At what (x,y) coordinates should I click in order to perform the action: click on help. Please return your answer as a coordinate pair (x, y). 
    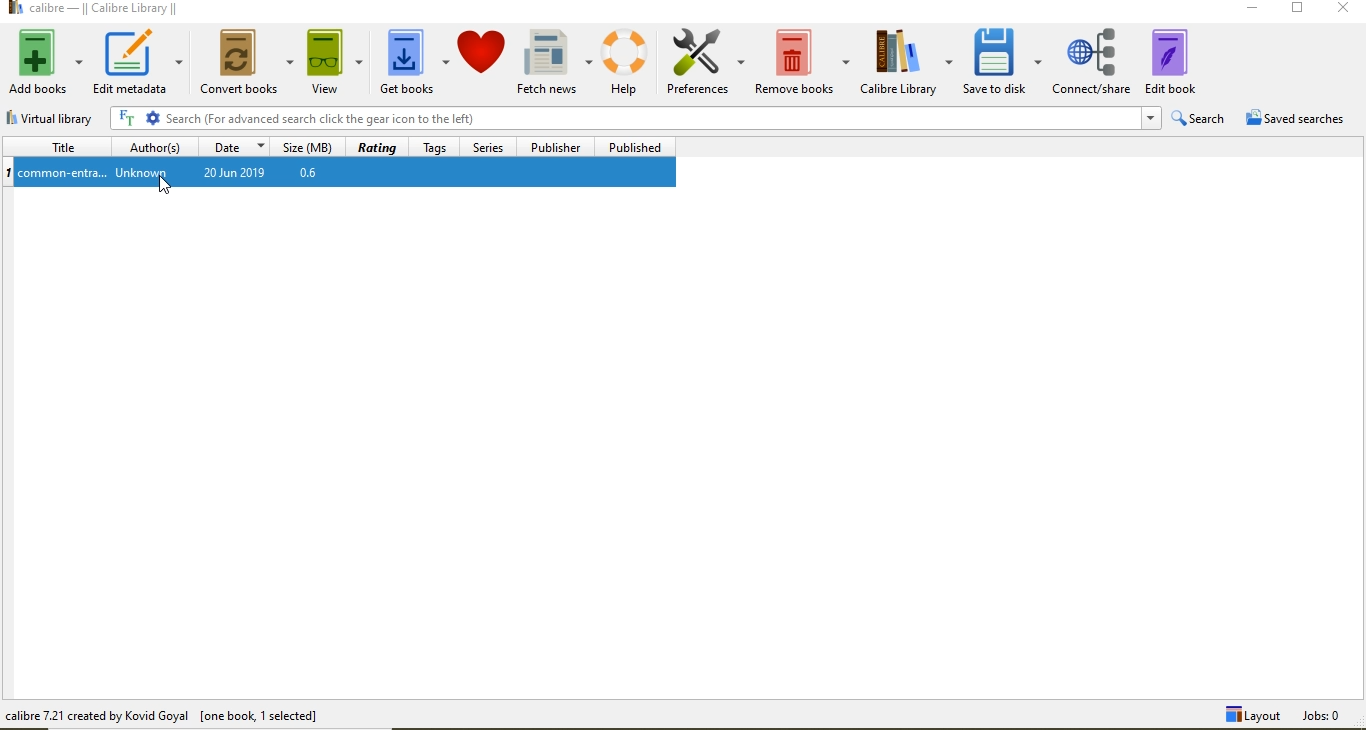
    Looking at the image, I should click on (629, 61).